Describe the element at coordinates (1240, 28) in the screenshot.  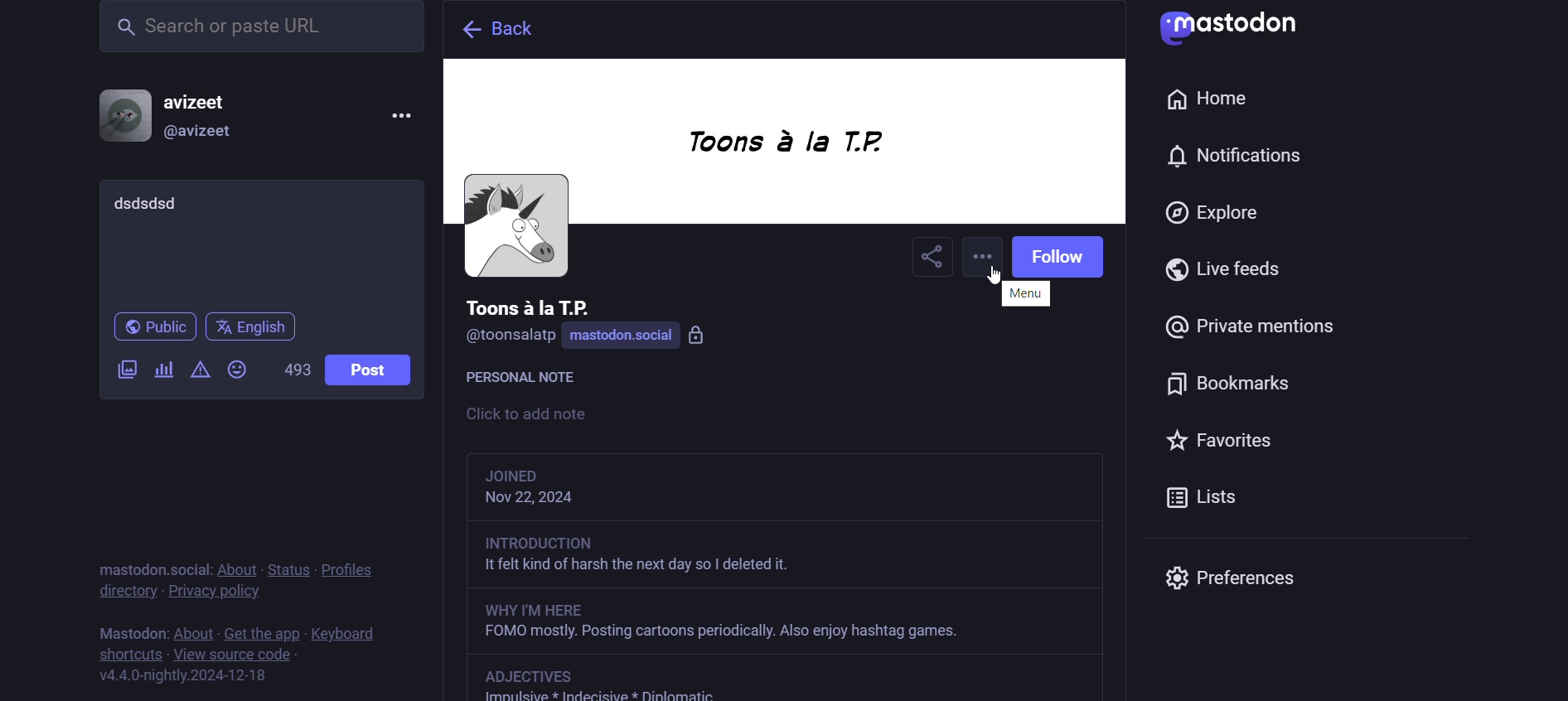
I see `logo` at that location.